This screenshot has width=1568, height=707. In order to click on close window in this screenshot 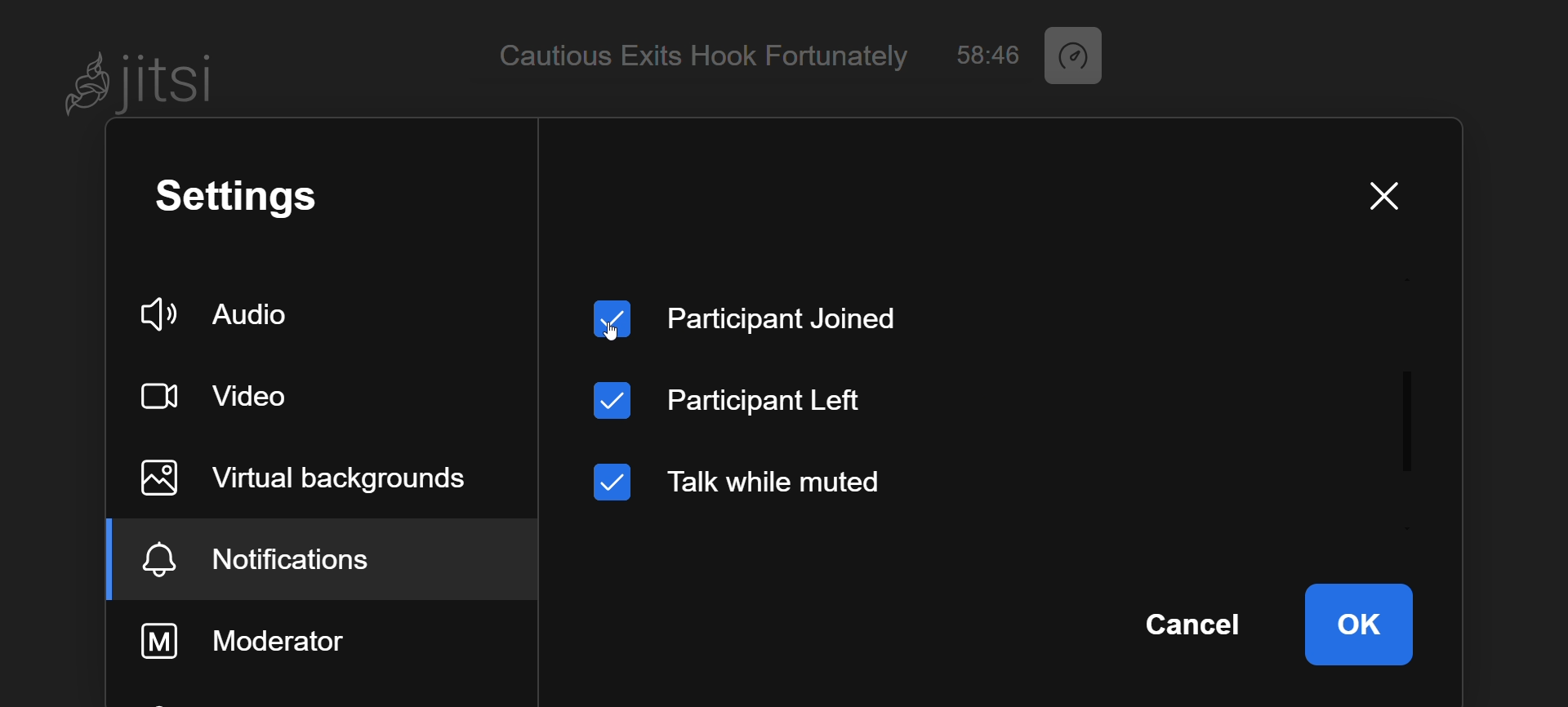, I will do `click(1380, 198)`.